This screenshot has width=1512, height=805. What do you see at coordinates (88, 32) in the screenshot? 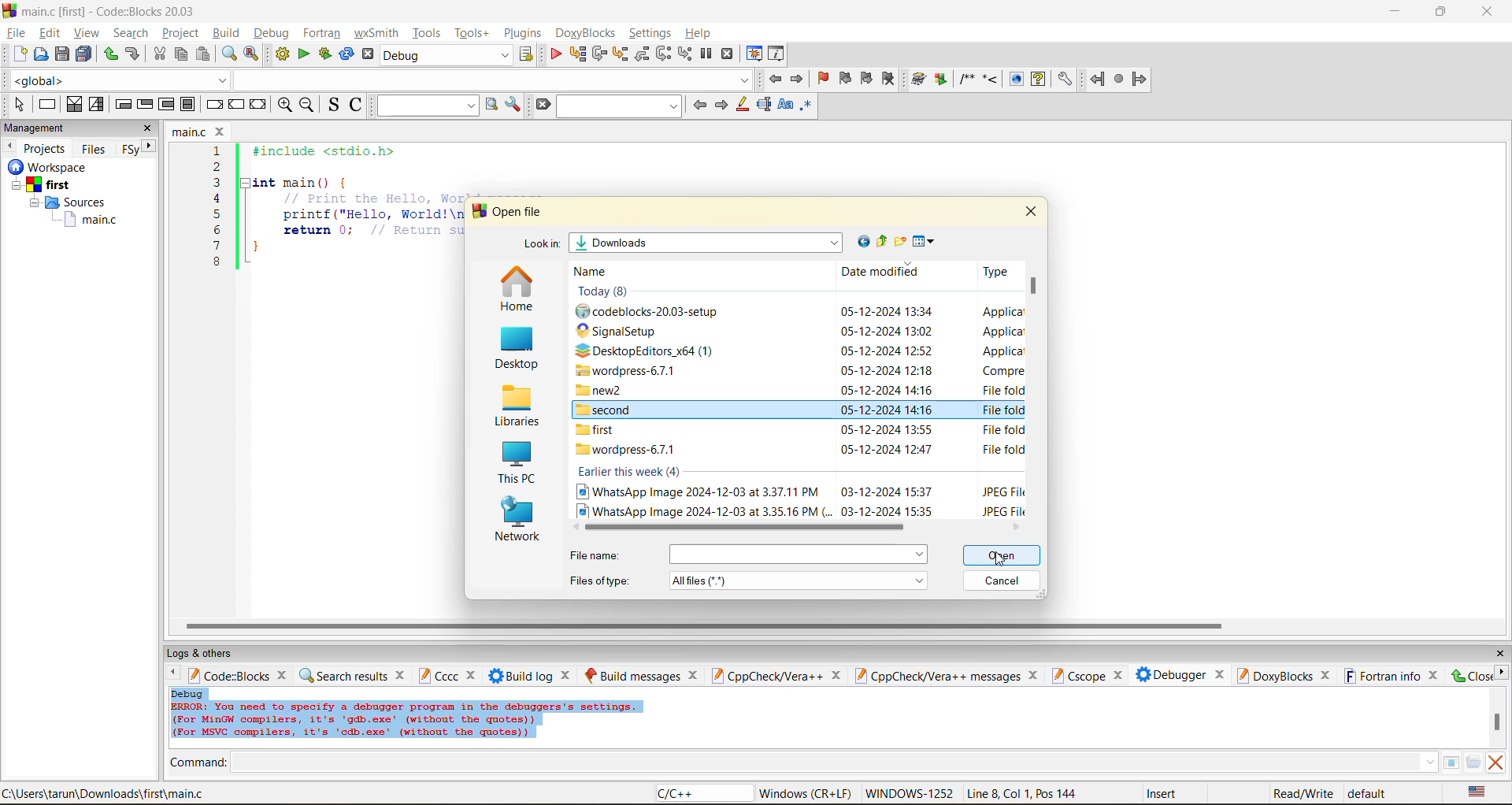
I see `view` at bounding box center [88, 32].